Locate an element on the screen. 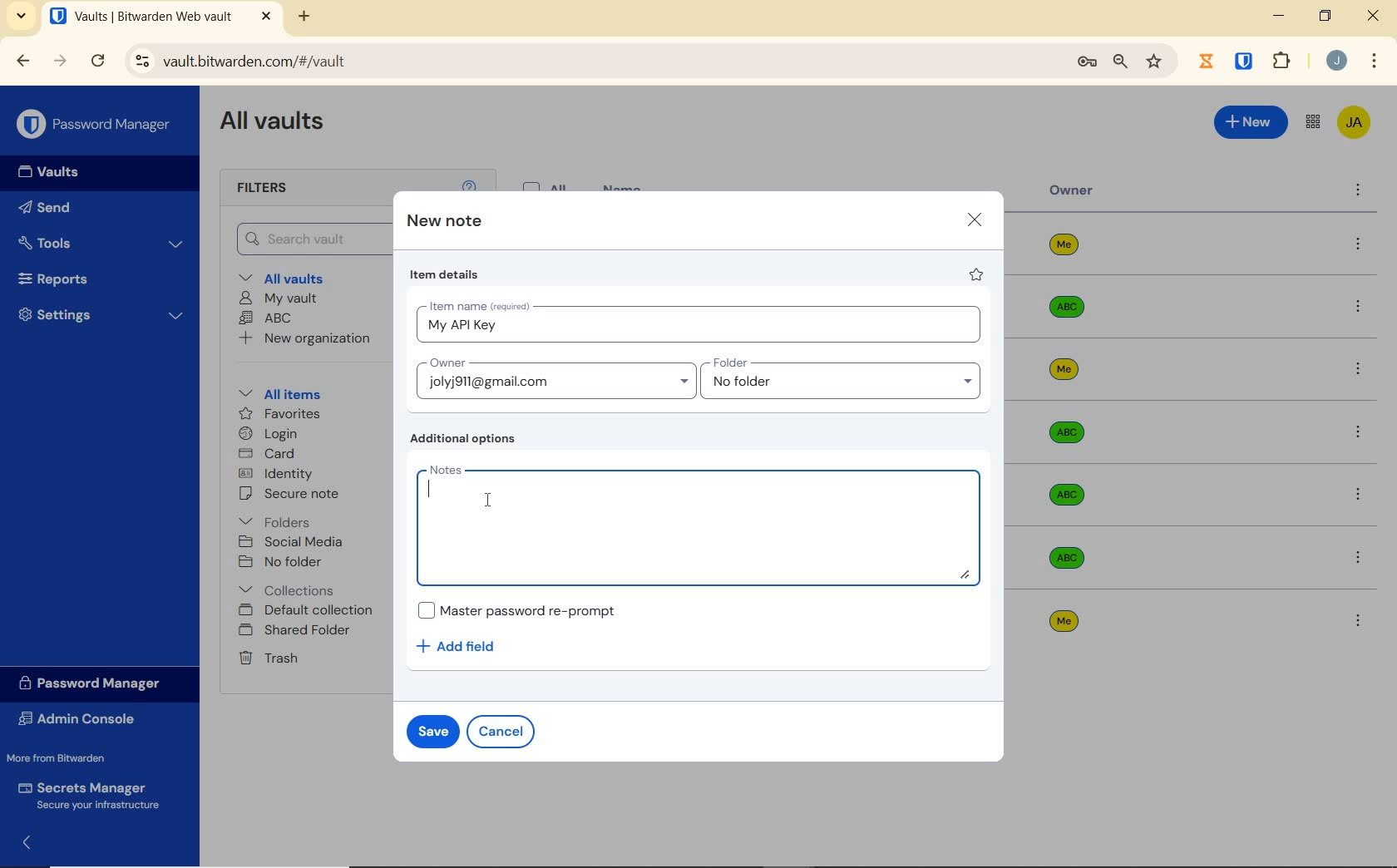 The height and width of the screenshot is (868, 1397). item details is located at coordinates (445, 277).